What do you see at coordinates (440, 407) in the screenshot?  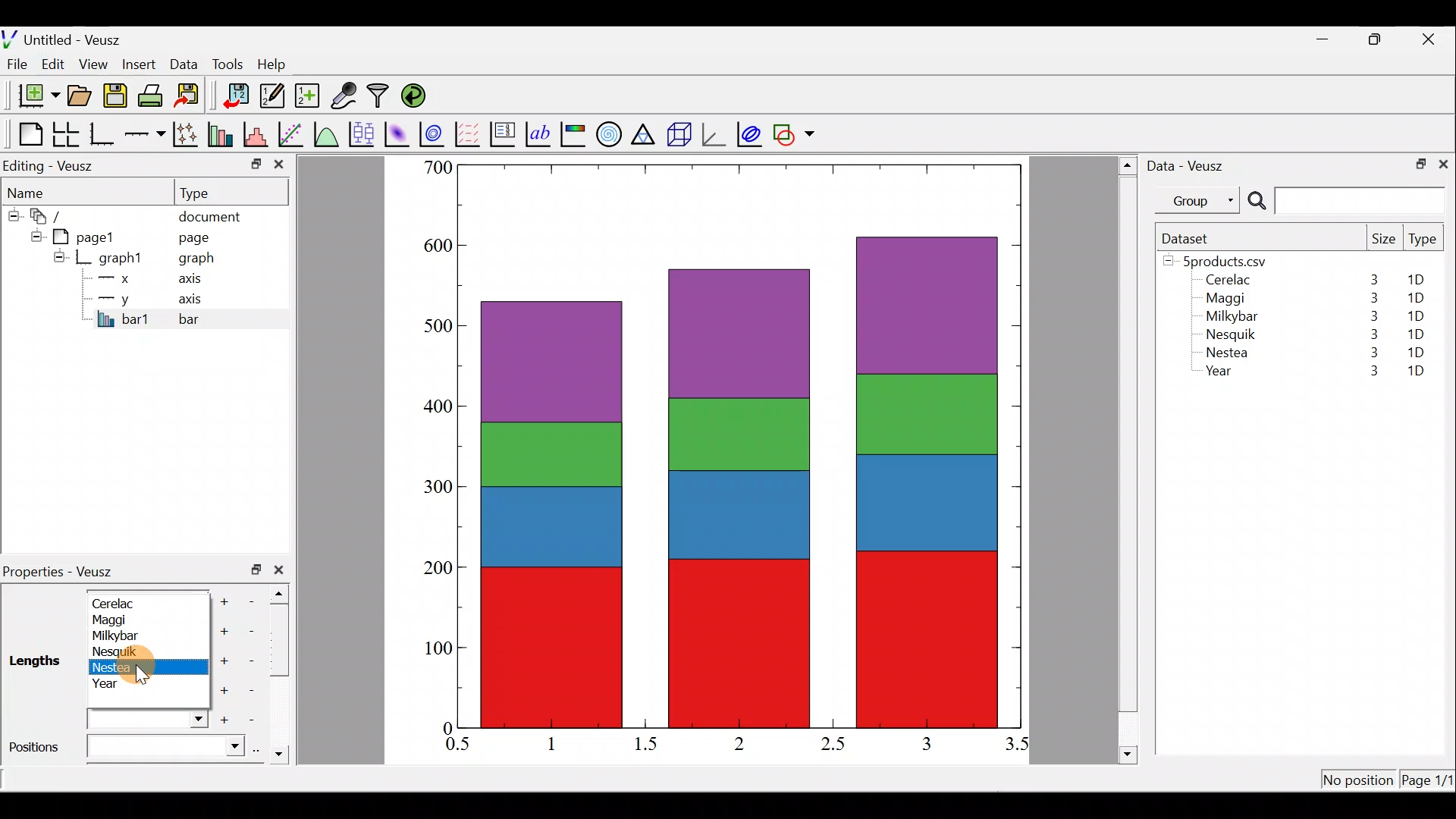 I see `400` at bounding box center [440, 407].